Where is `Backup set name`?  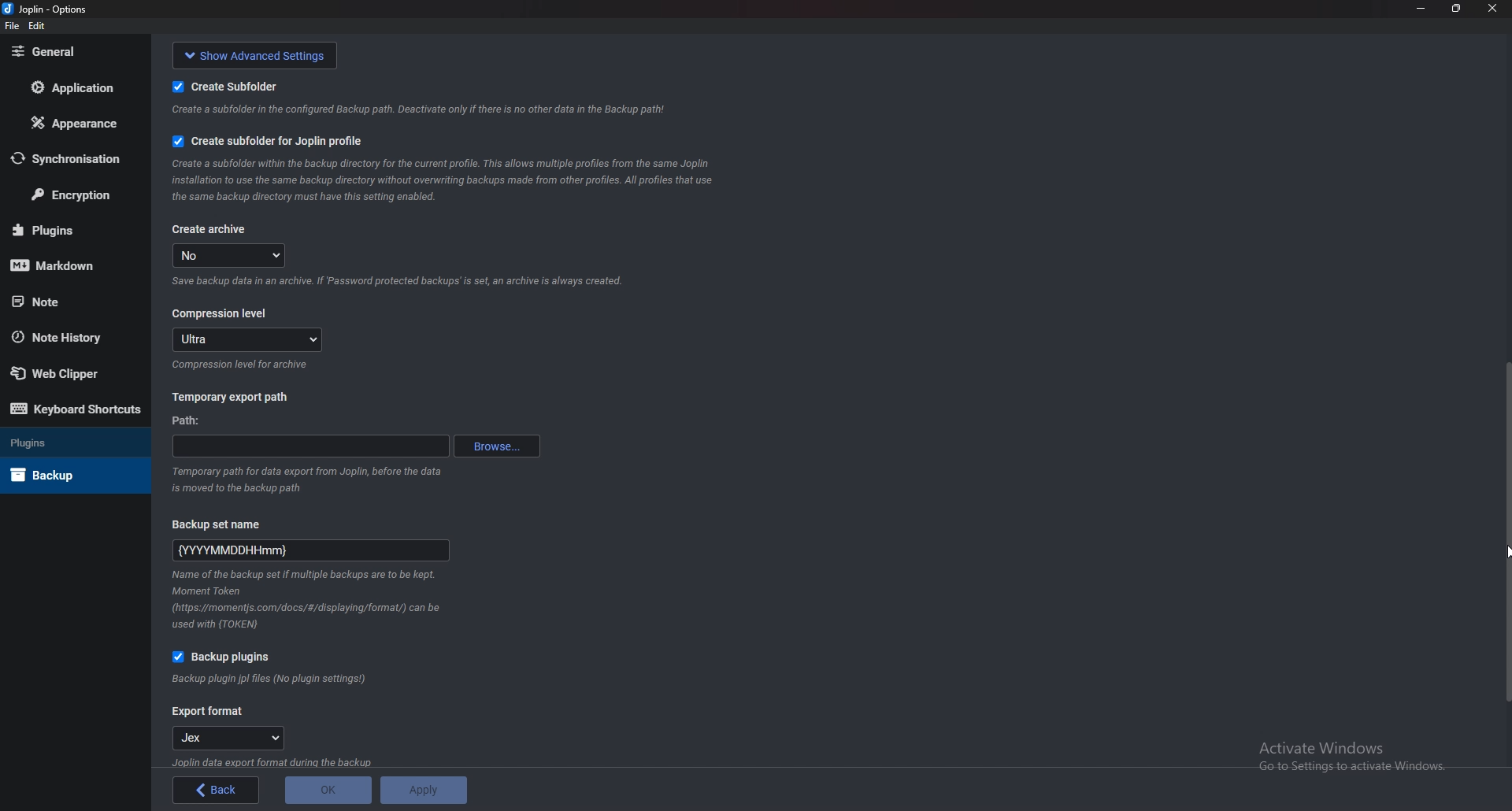
Backup set name is located at coordinates (217, 525).